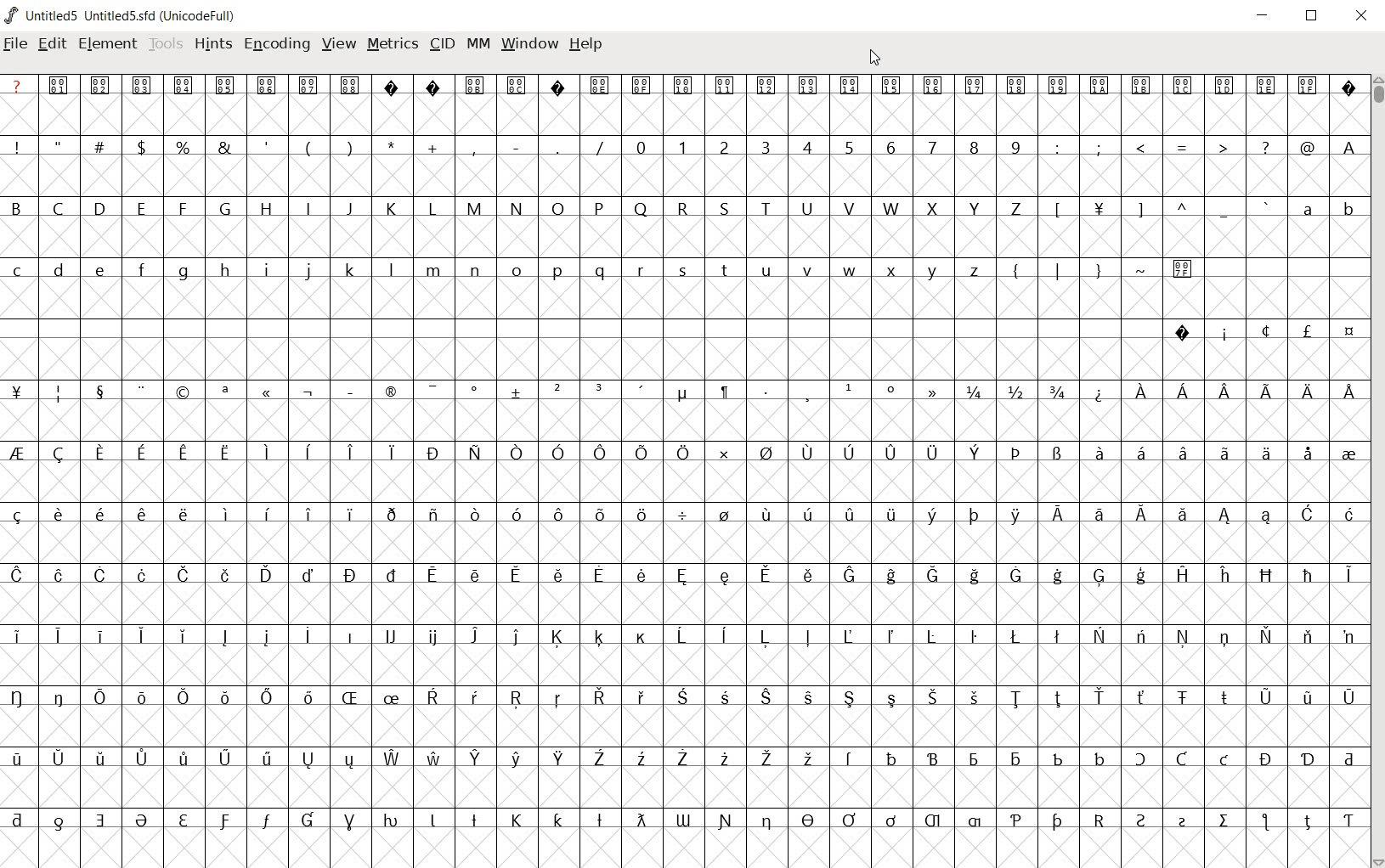 The image size is (1385, 868). What do you see at coordinates (20, 576) in the screenshot?
I see `Symbol` at bounding box center [20, 576].